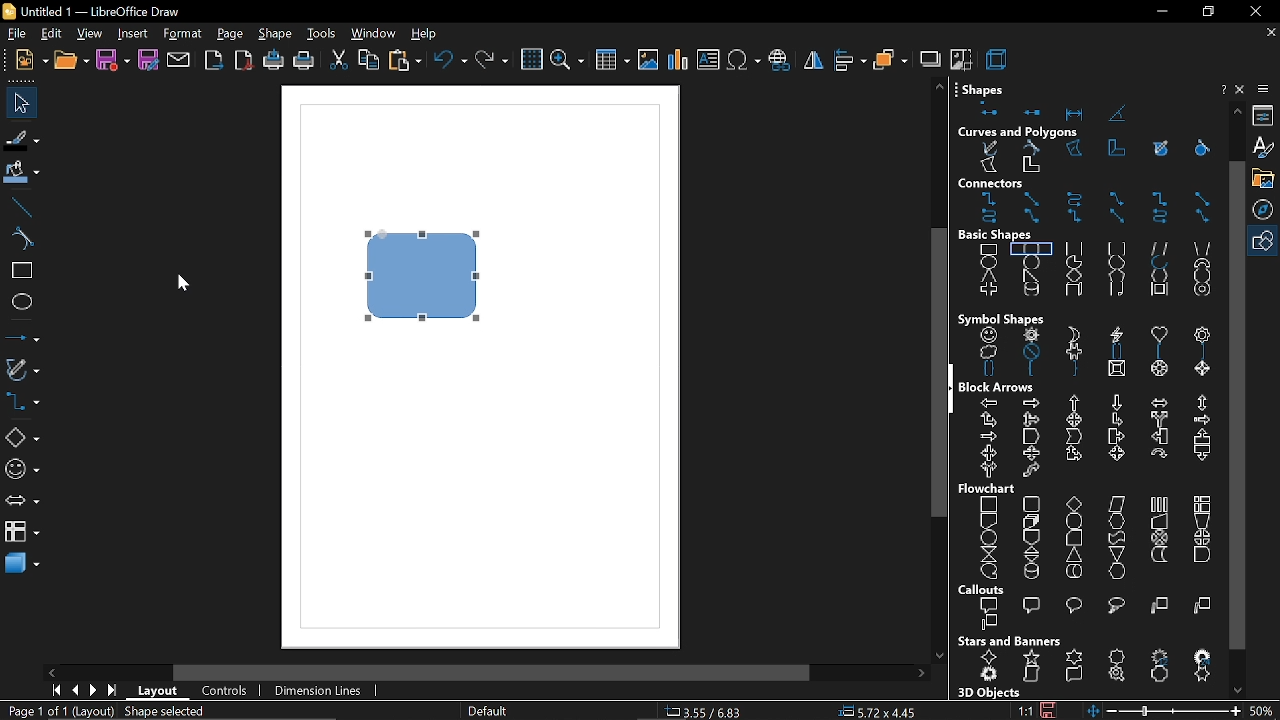  What do you see at coordinates (322, 35) in the screenshot?
I see `tools` at bounding box center [322, 35].